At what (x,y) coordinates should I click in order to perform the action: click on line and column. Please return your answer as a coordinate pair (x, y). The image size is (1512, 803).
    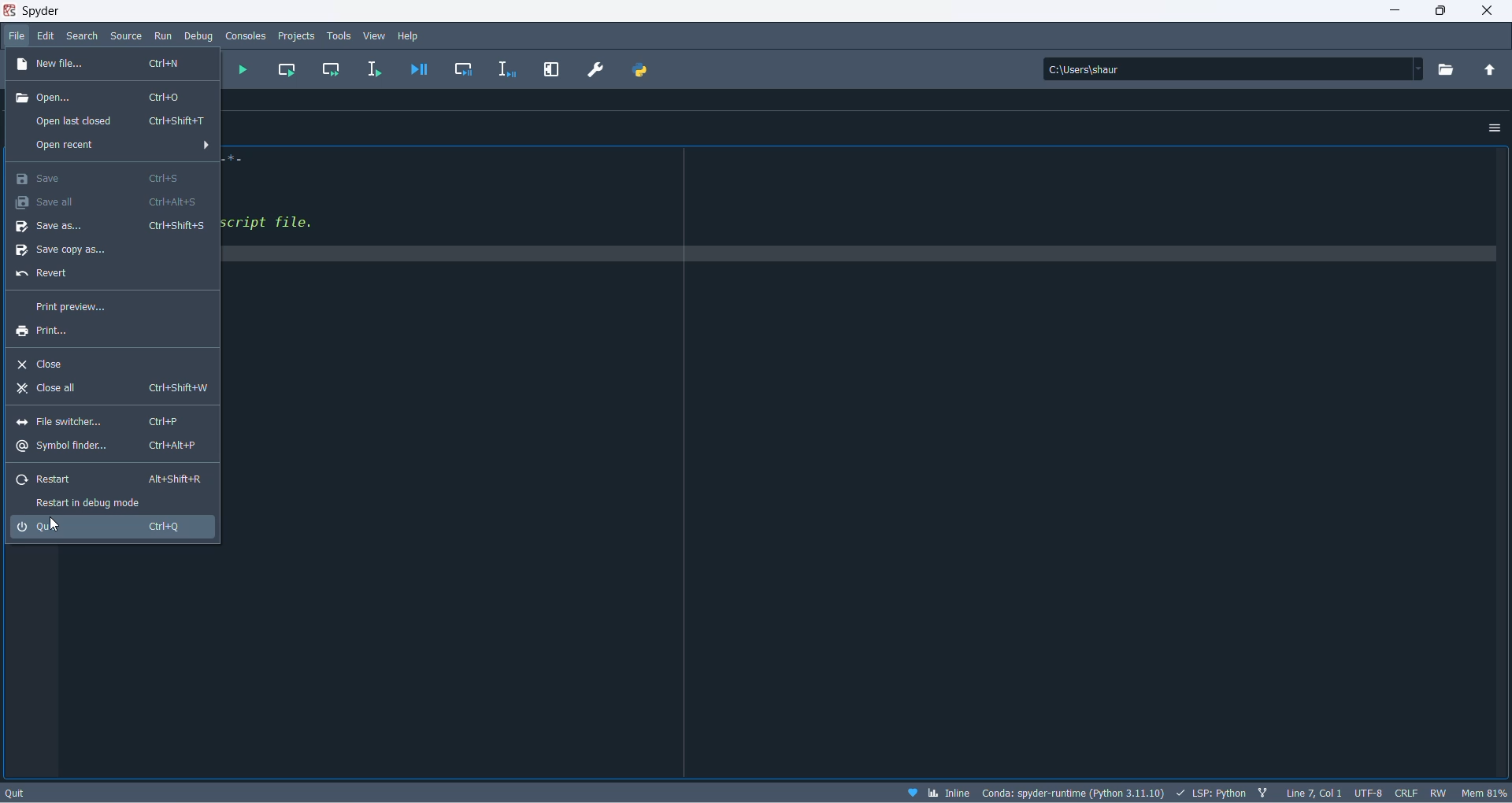
    Looking at the image, I should click on (1315, 792).